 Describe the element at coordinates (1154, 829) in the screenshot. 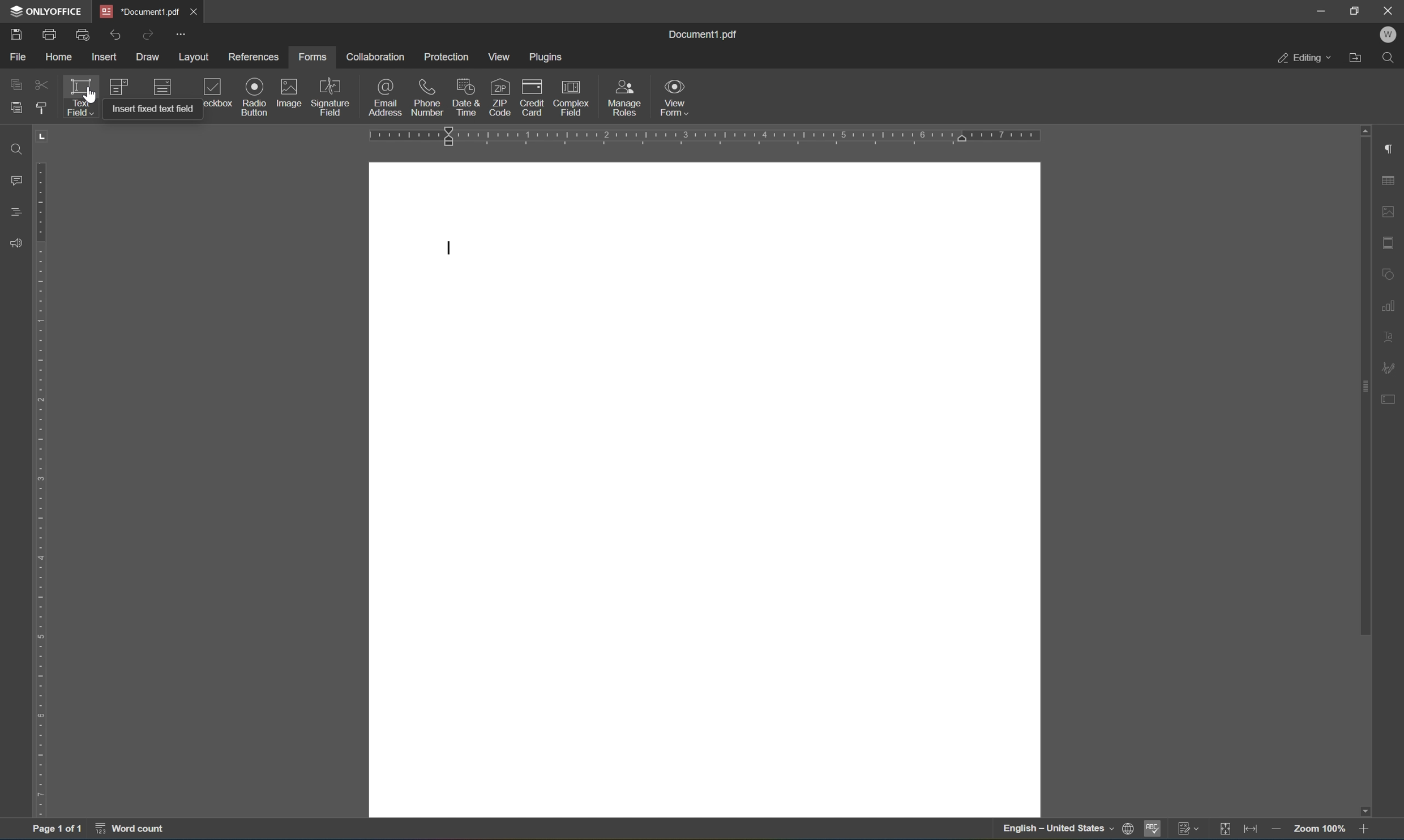

I see `spell checking` at that location.